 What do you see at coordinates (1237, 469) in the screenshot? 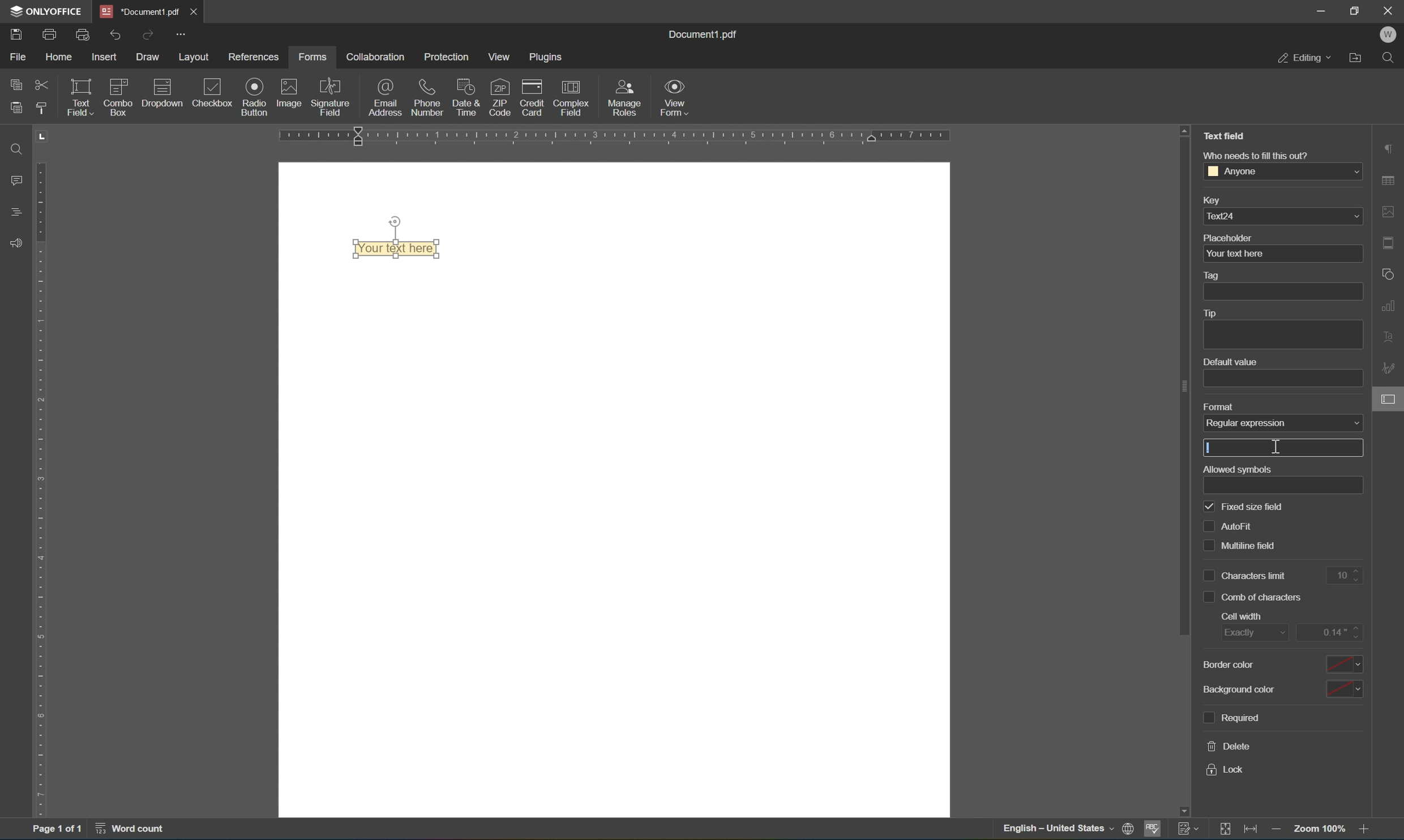
I see `allowed symbols` at bounding box center [1237, 469].